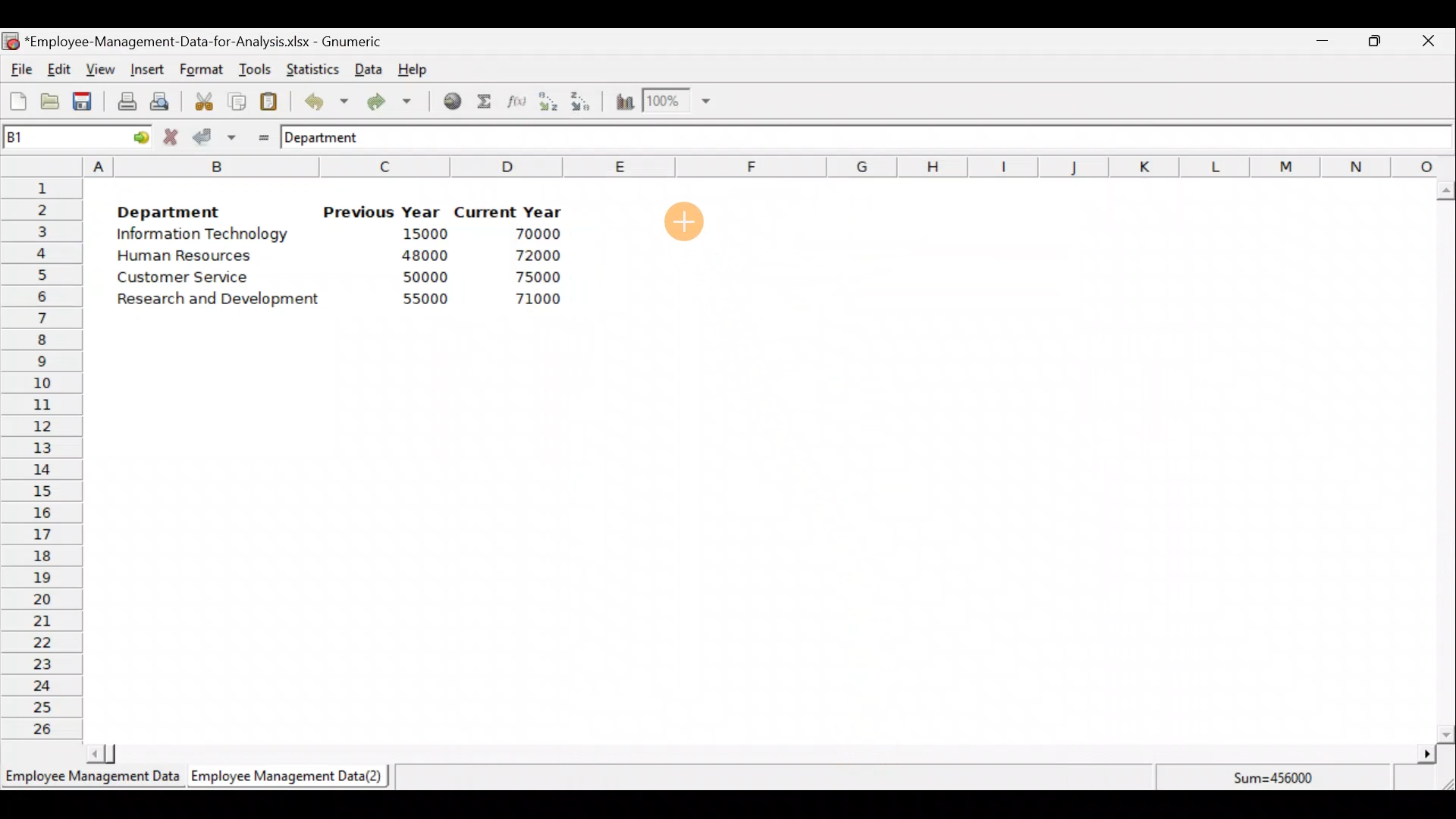 This screenshot has height=819, width=1456. Describe the element at coordinates (532, 234) in the screenshot. I see `70000` at that location.